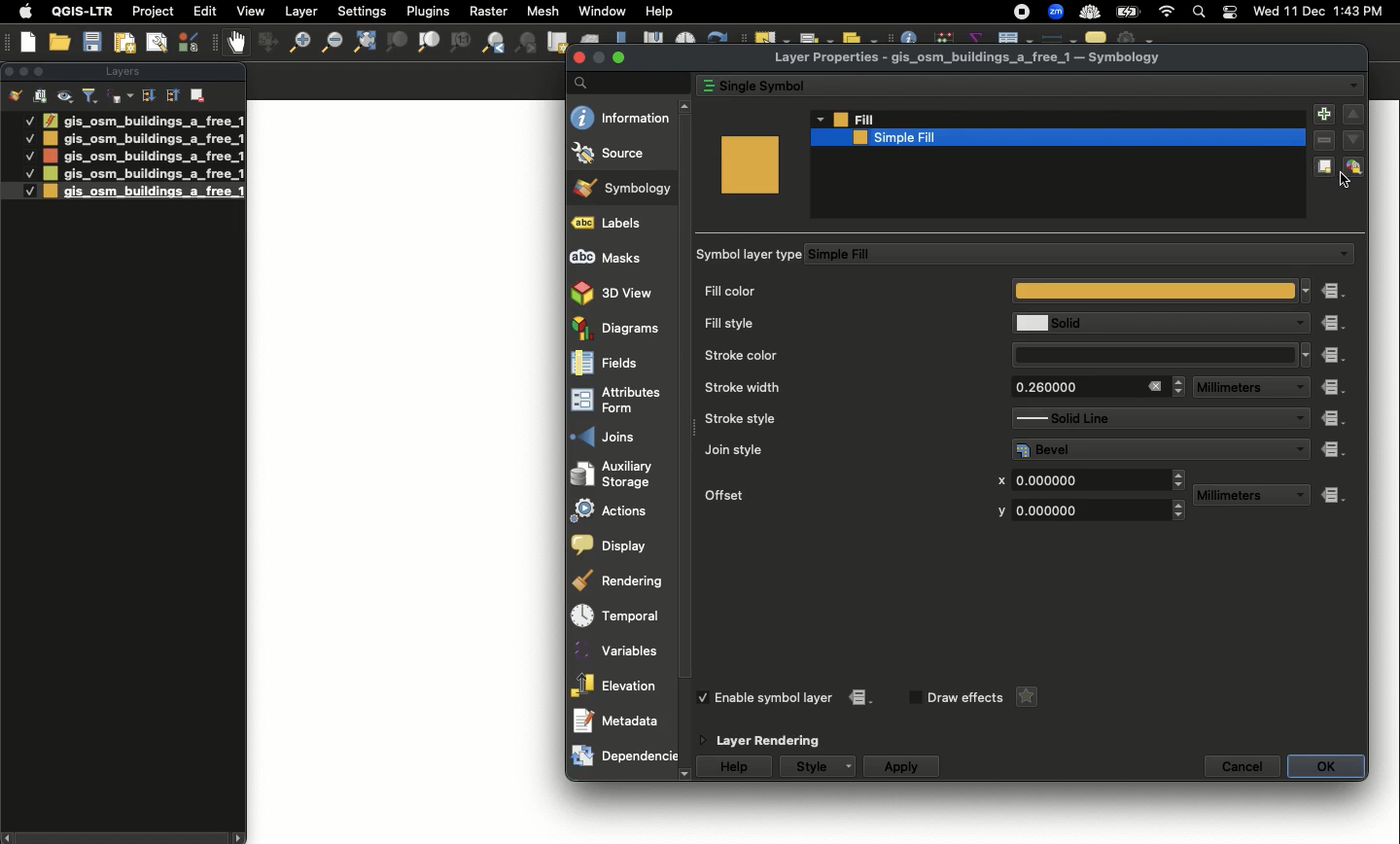 This screenshot has height=844, width=1400. I want to click on 1:1, so click(459, 43).